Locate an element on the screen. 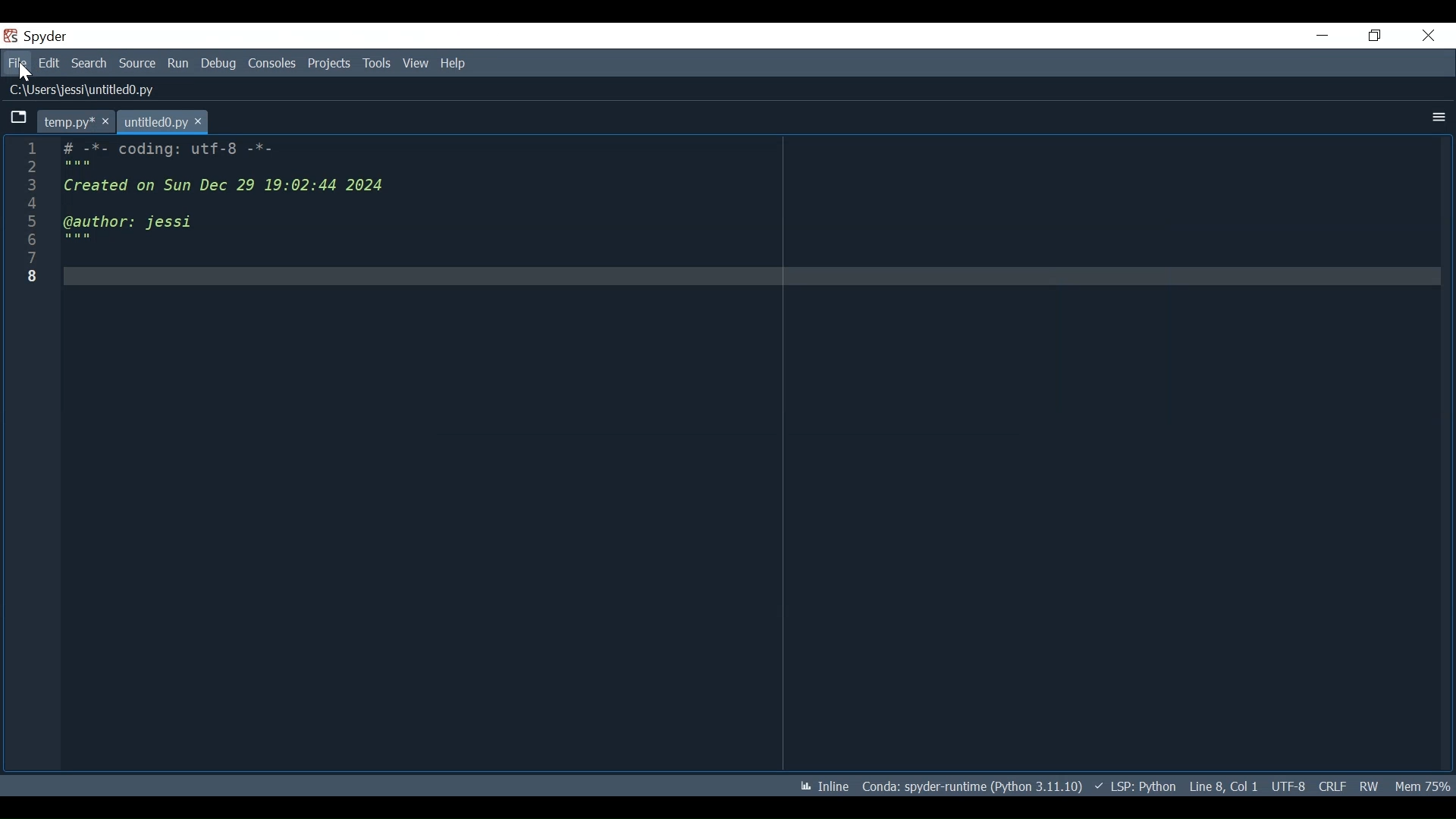 The height and width of the screenshot is (819, 1456). Browse Tabs is located at coordinates (19, 118).